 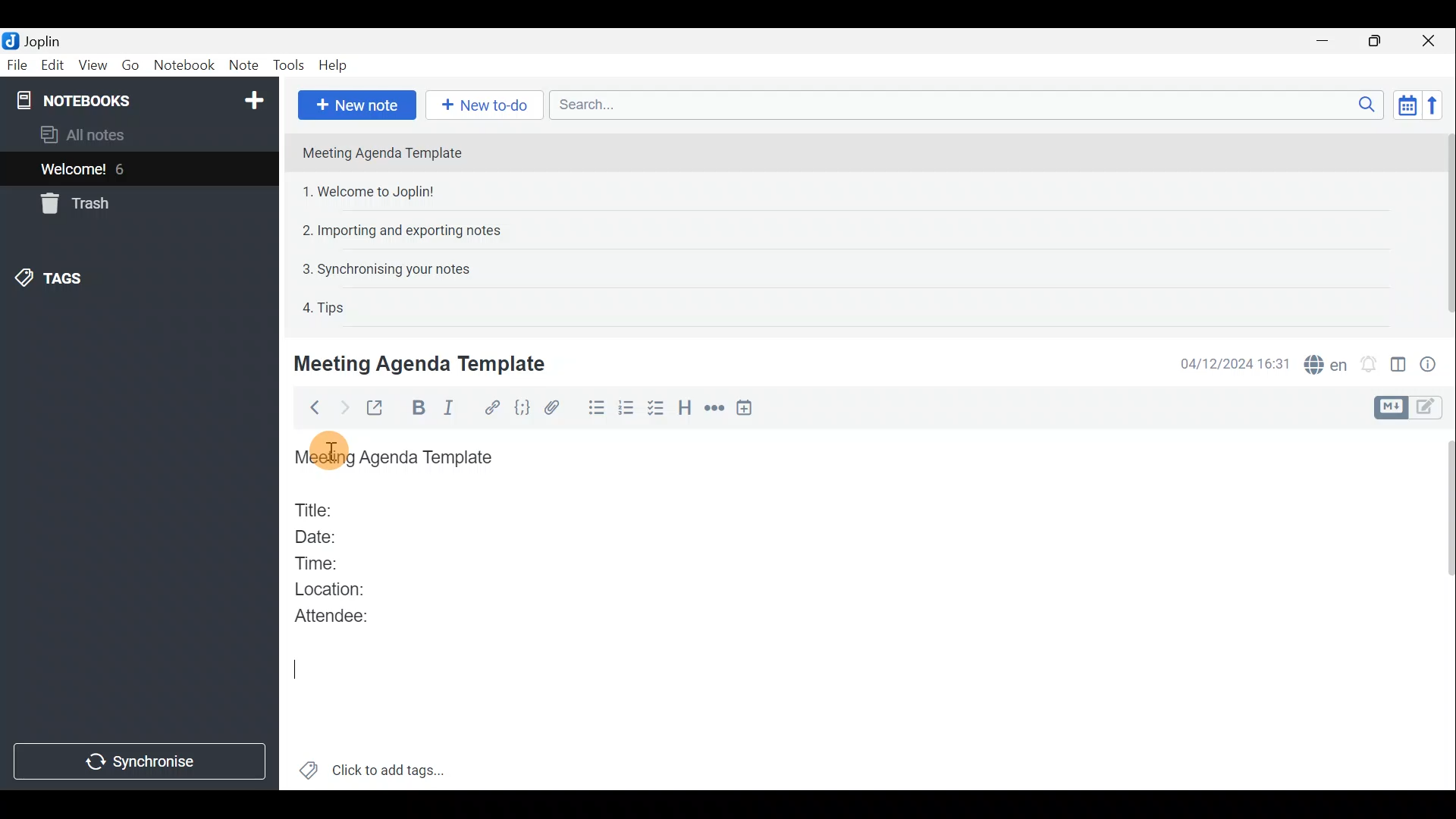 What do you see at coordinates (42, 40) in the screenshot?
I see `Joplin` at bounding box center [42, 40].